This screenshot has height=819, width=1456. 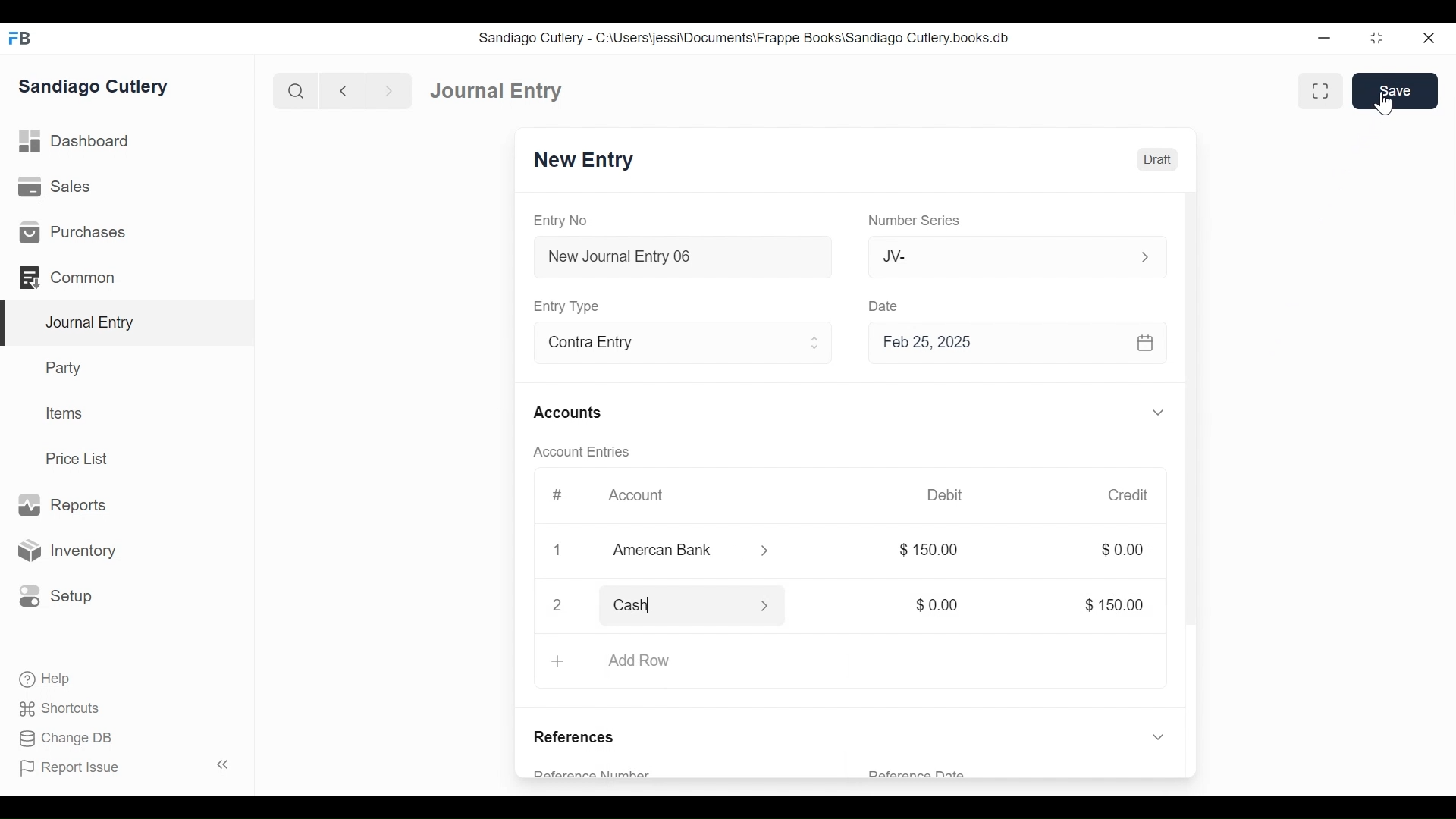 What do you see at coordinates (767, 551) in the screenshot?
I see `Expand` at bounding box center [767, 551].